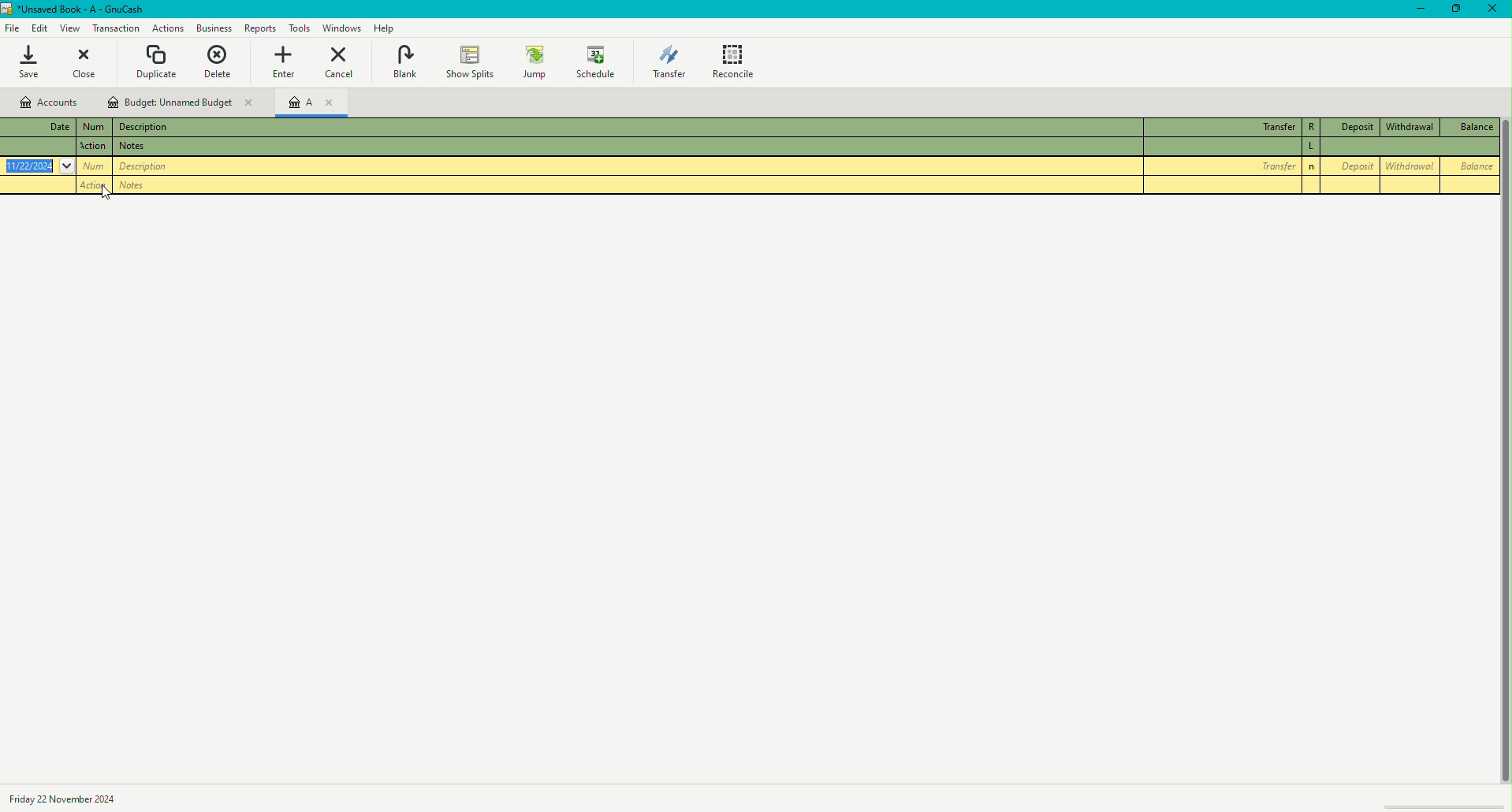  I want to click on scroll bar, so click(1502, 489).